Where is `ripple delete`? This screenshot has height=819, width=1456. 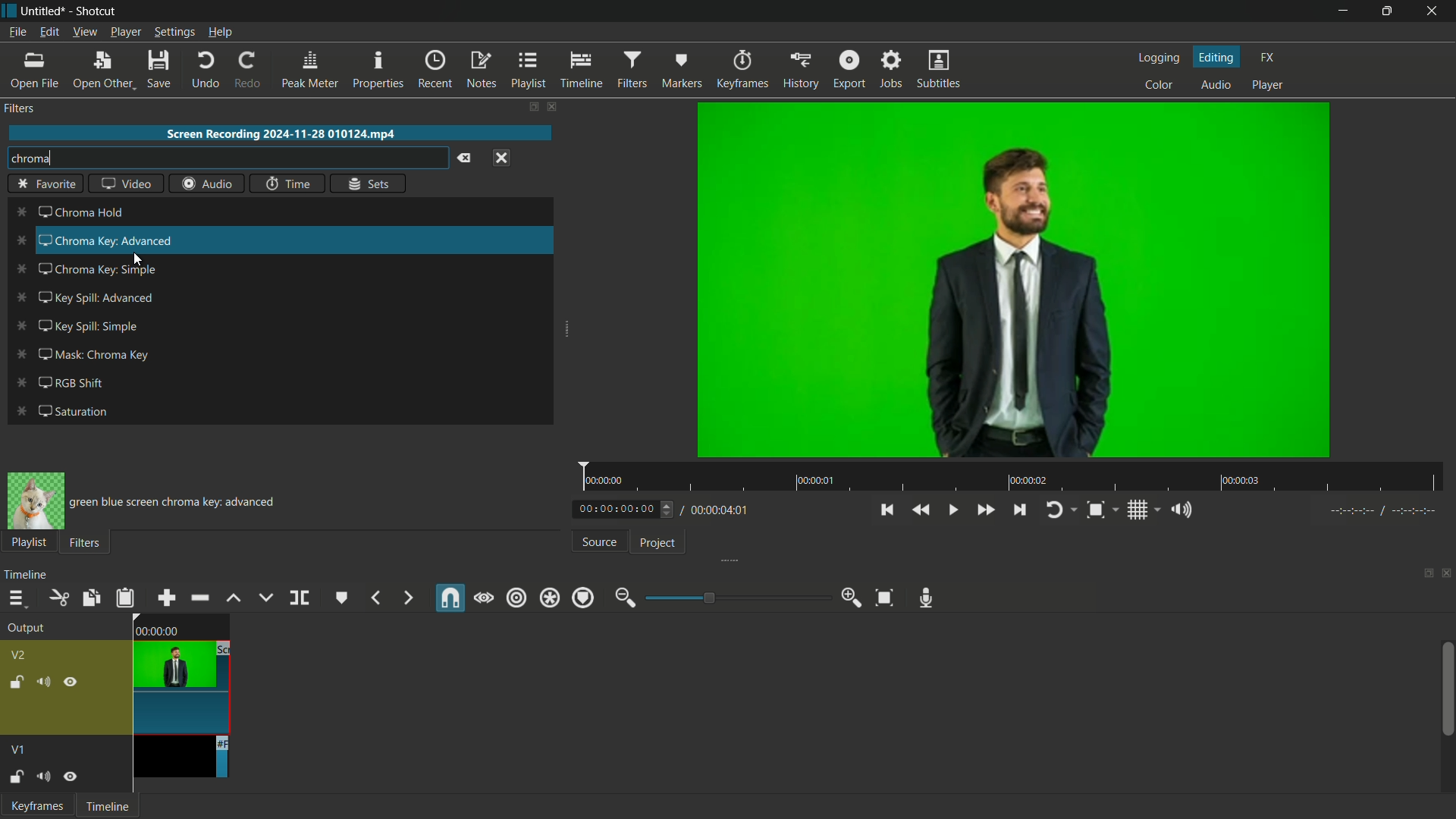 ripple delete is located at coordinates (201, 599).